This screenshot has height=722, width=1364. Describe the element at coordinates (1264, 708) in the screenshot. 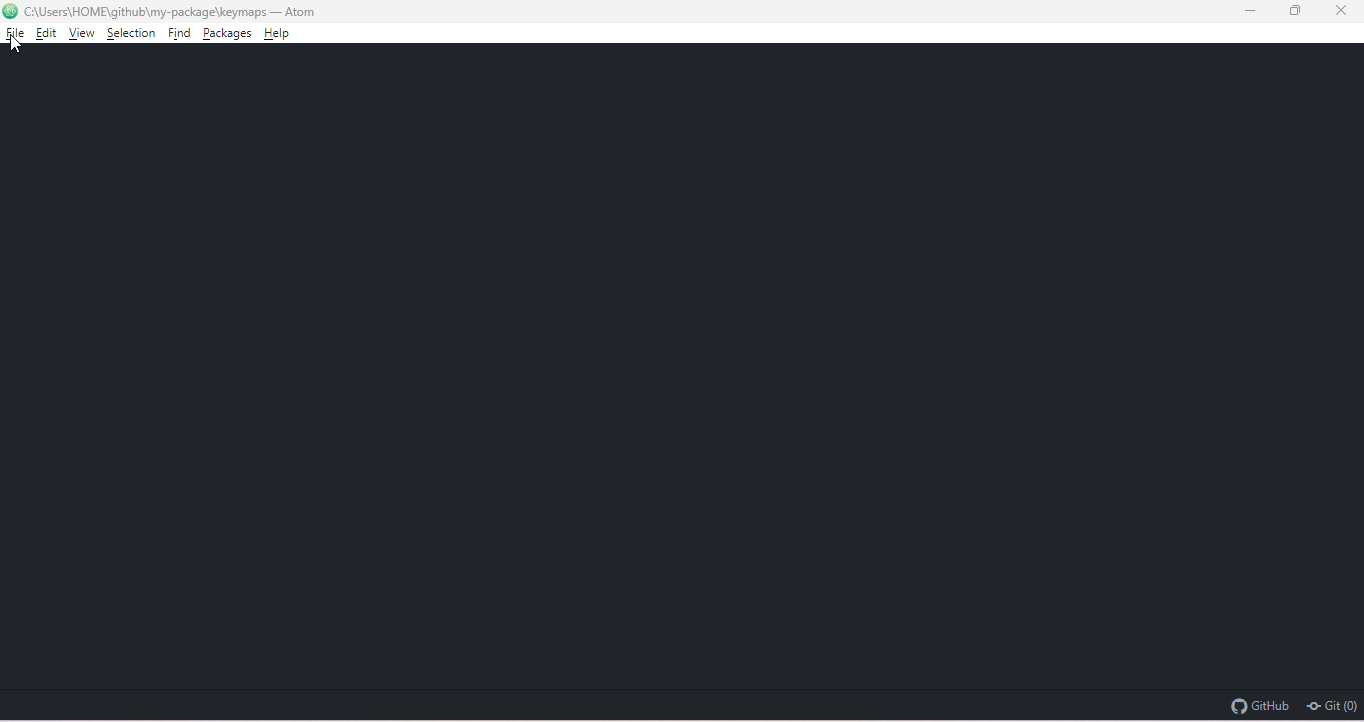

I see `github` at that location.